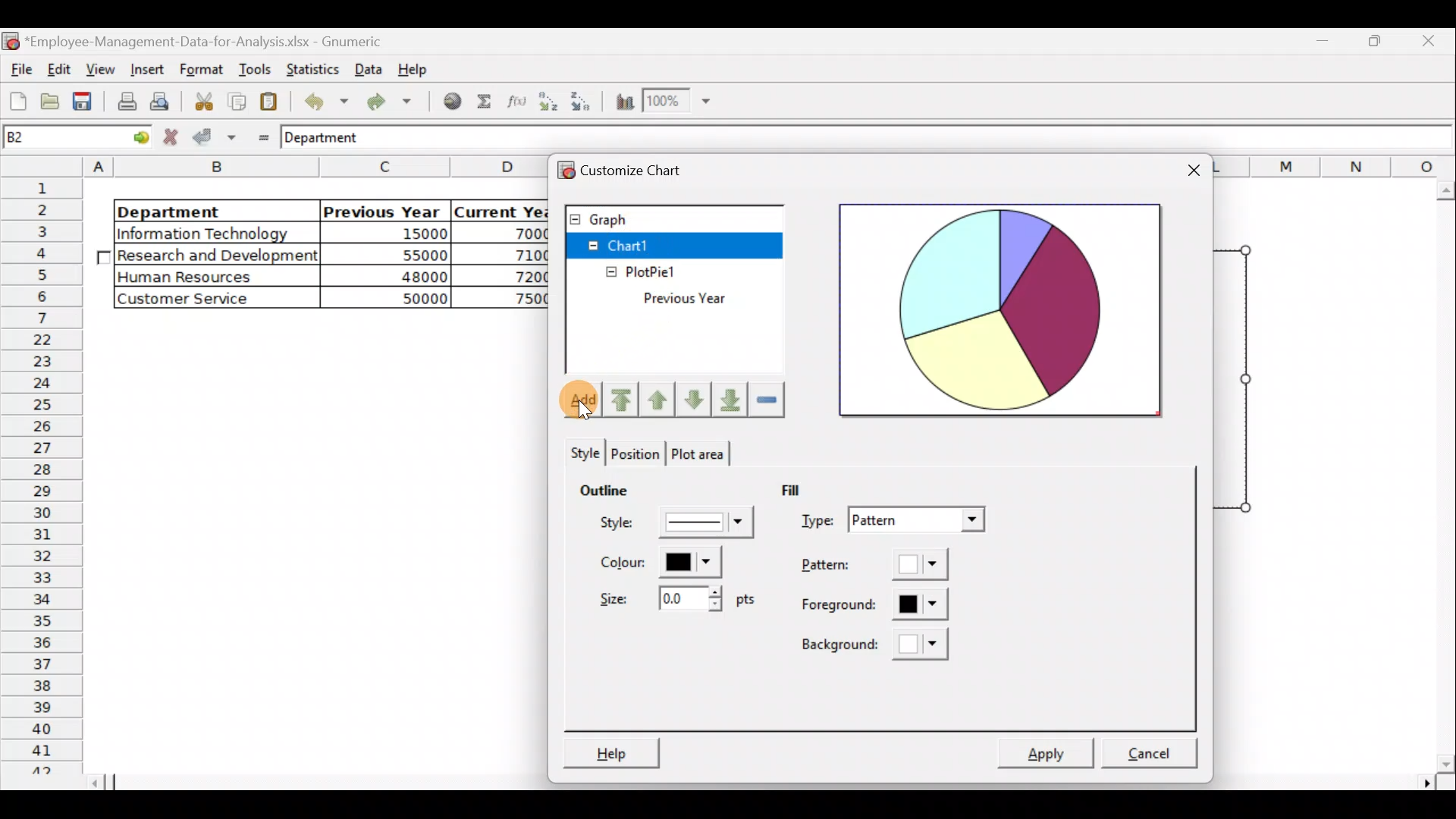 The height and width of the screenshot is (819, 1456). I want to click on Previous Year, so click(382, 209).